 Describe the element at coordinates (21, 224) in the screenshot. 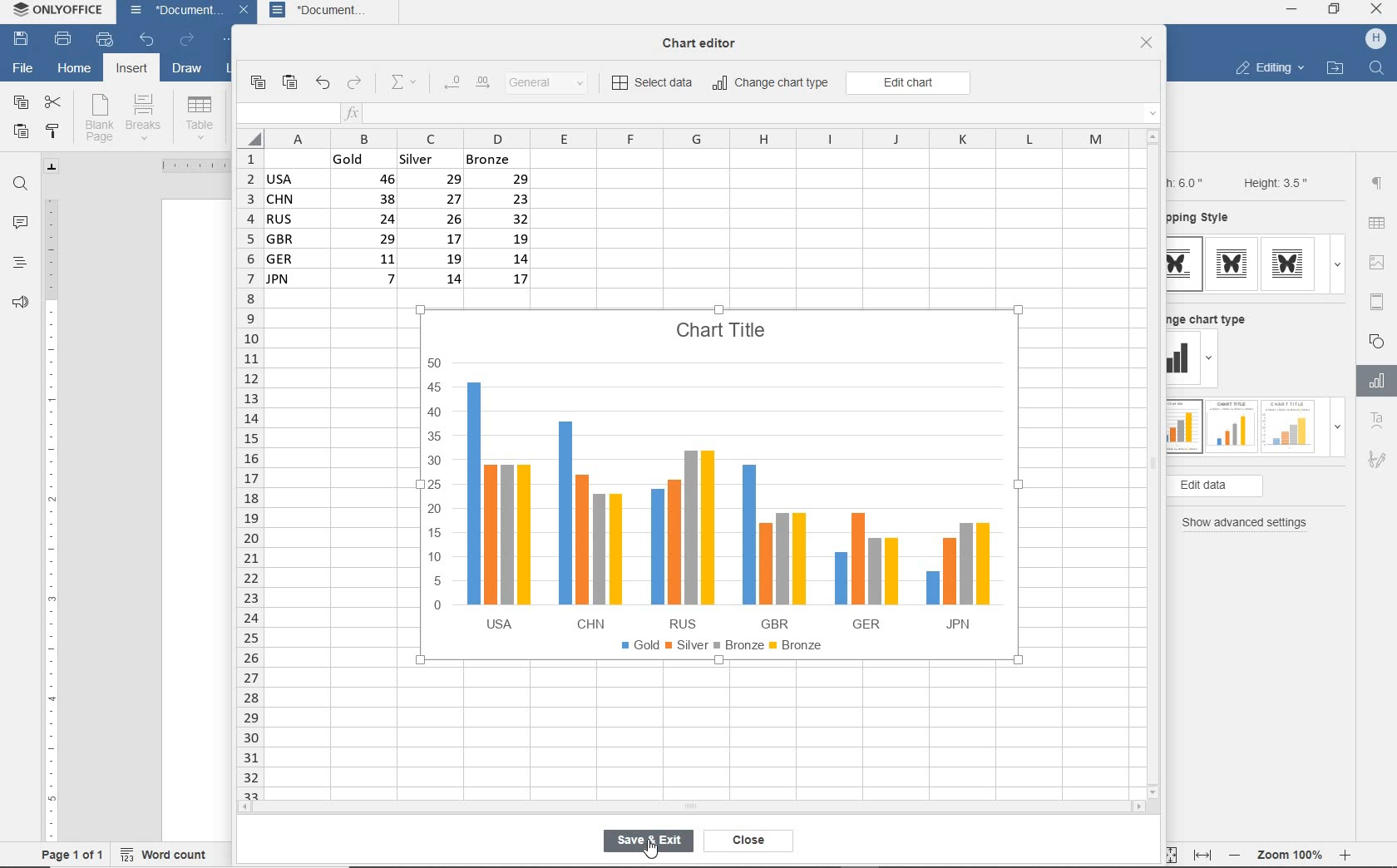

I see `comments` at that location.